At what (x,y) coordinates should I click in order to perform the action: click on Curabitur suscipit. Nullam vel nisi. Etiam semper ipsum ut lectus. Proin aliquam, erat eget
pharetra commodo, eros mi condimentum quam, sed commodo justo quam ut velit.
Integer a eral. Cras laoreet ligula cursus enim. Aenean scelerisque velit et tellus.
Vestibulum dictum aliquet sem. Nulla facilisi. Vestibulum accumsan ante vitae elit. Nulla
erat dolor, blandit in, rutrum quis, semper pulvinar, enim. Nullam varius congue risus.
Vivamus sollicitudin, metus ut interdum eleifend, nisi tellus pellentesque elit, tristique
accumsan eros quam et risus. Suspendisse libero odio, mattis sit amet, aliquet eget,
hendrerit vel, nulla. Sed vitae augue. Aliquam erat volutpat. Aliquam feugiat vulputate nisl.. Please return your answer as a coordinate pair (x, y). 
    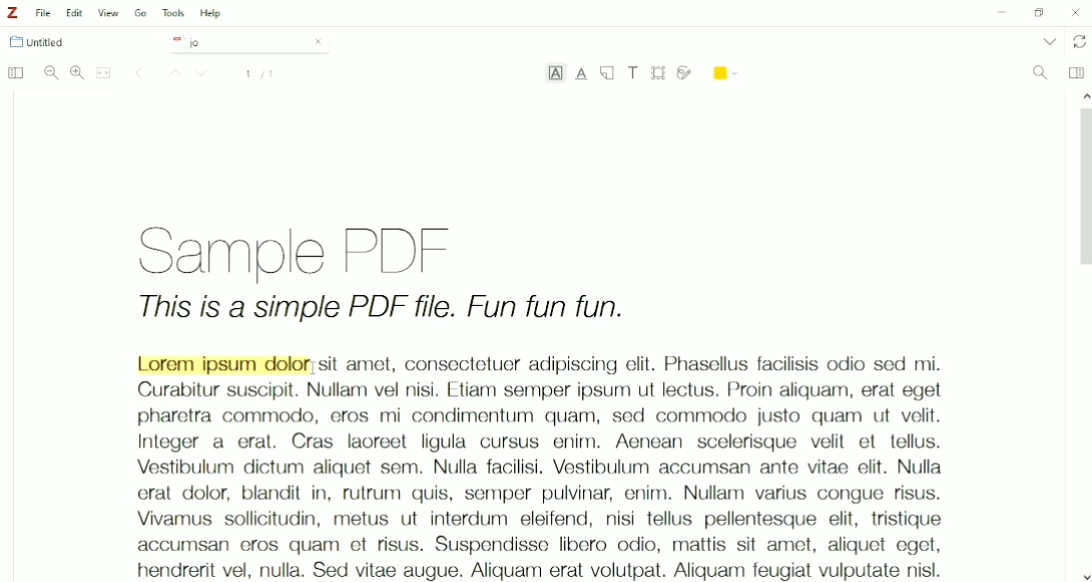
    Looking at the image, I should click on (538, 480).